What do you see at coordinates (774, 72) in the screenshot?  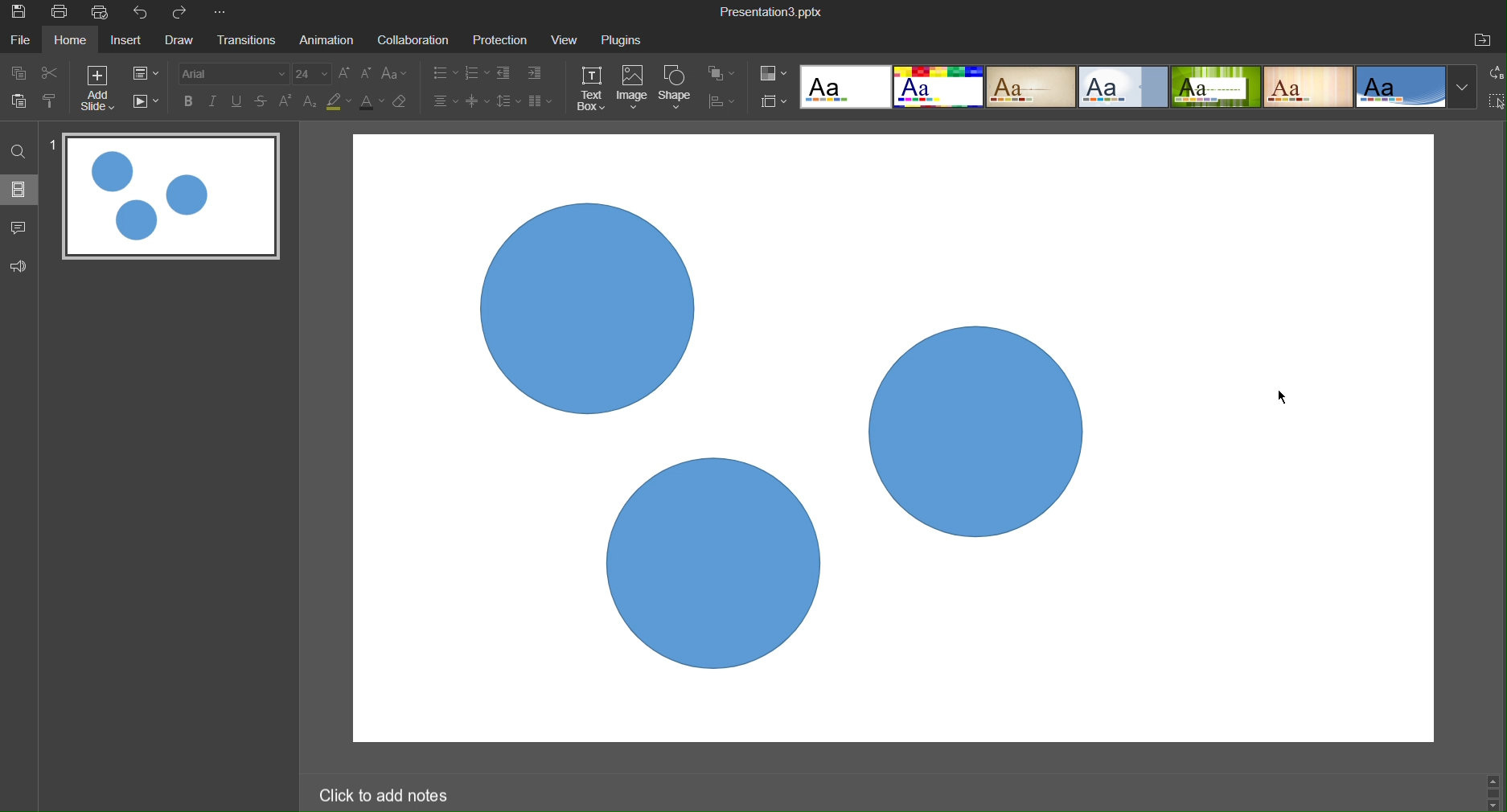 I see `Color` at bounding box center [774, 72].